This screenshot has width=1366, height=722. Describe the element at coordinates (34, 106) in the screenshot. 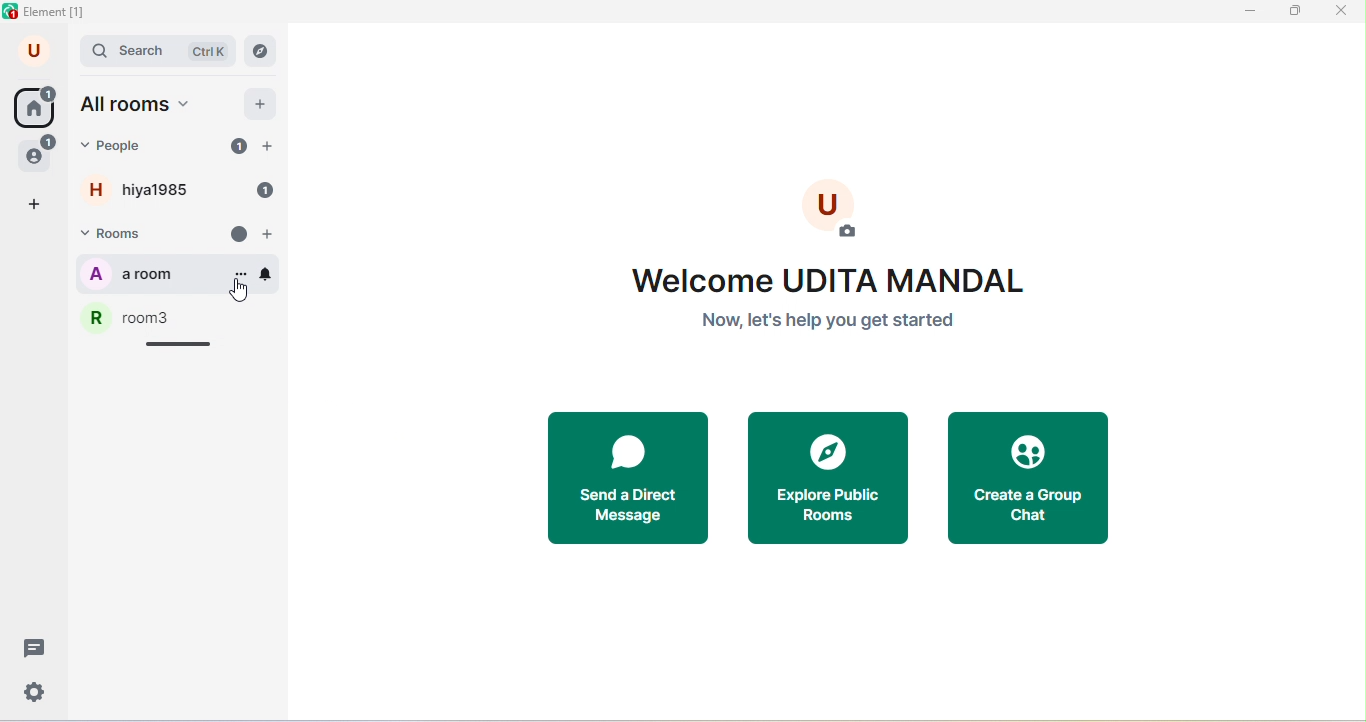

I see `home` at that location.